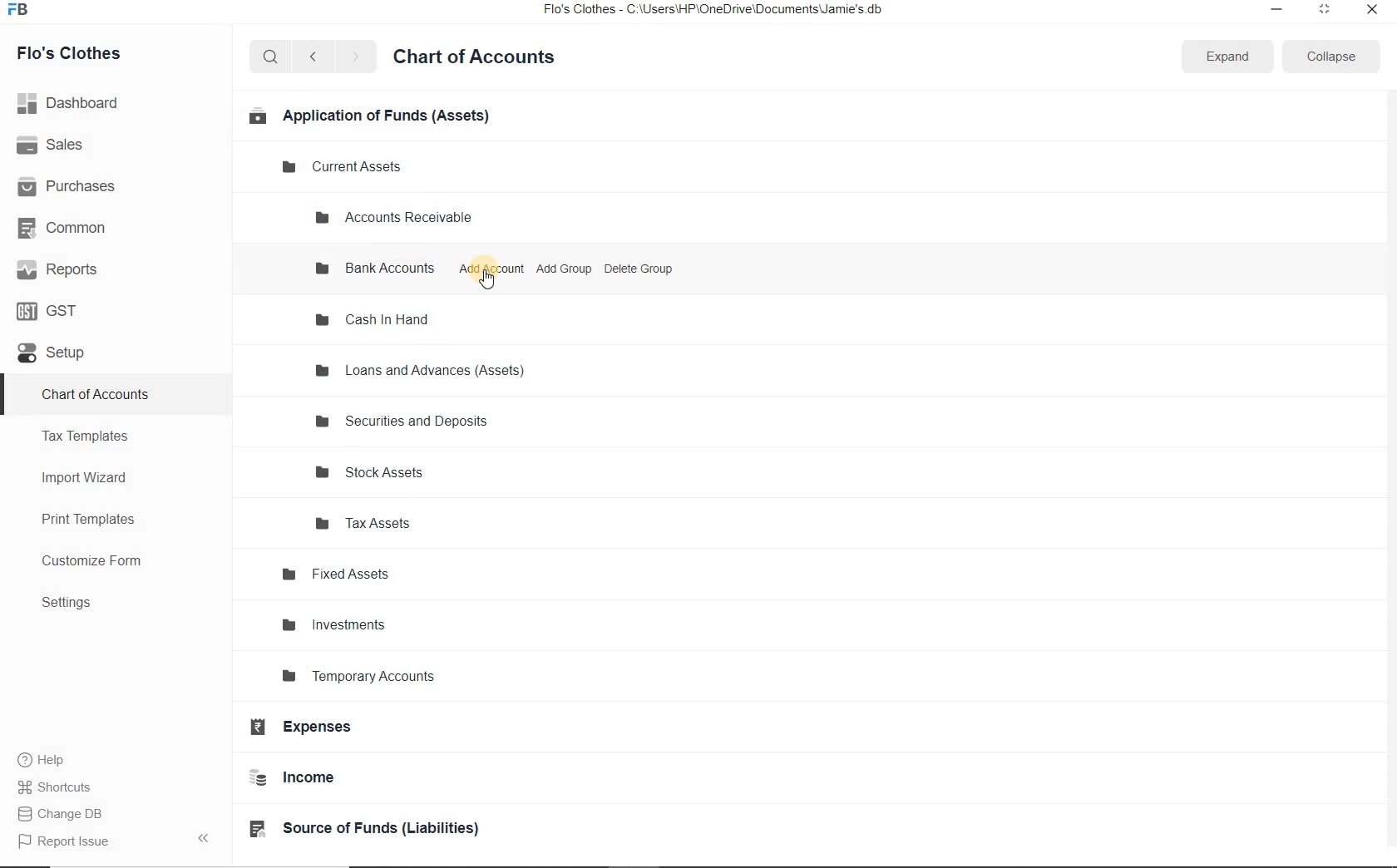 The height and width of the screenshot is (868, 1397). Describe the element at coordinates (313, 782) in the screenshot. I see `Income` at that location.